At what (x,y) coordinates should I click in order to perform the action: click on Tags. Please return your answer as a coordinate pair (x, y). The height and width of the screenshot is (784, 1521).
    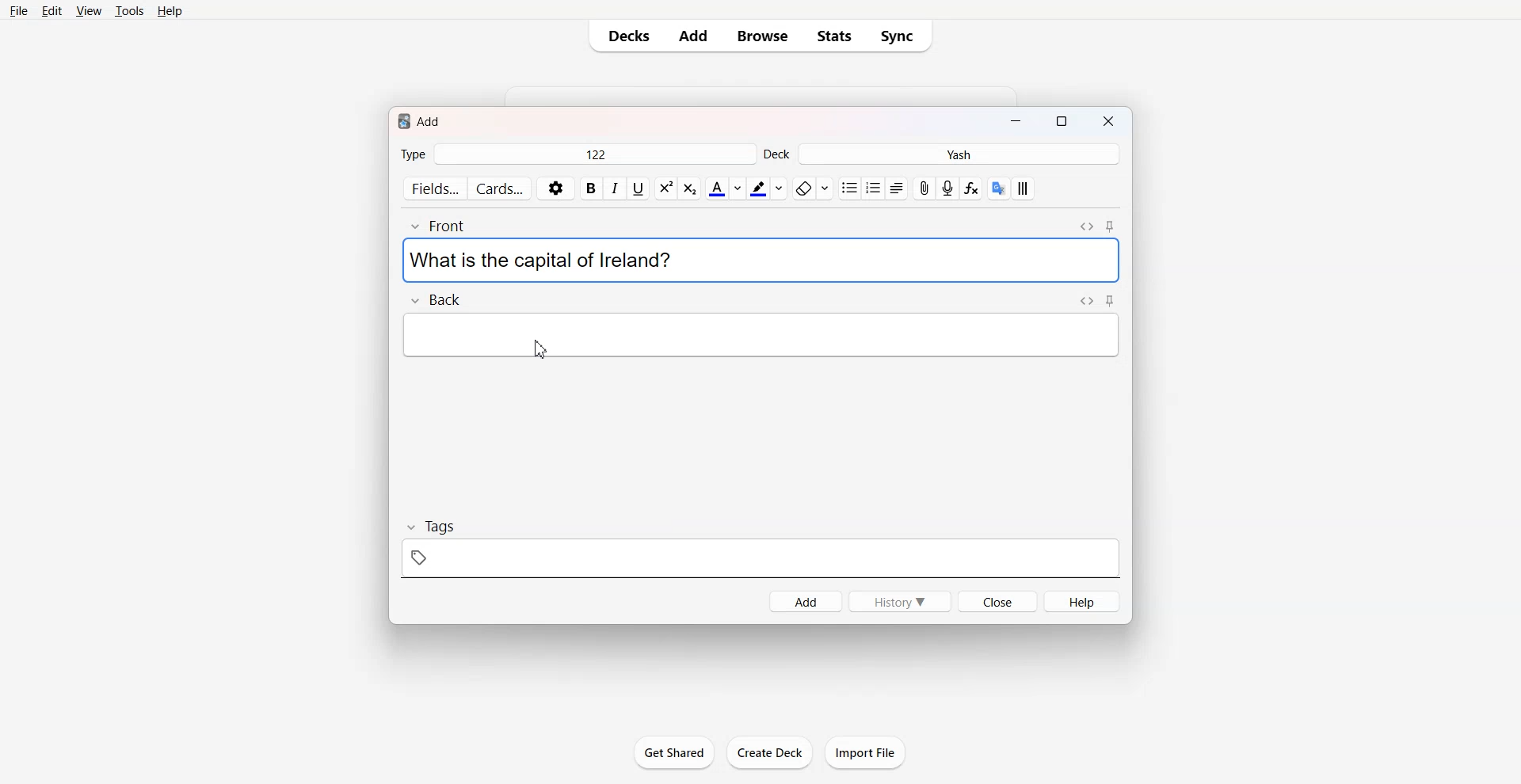
    Looking at the image, I should click on (761, 548).